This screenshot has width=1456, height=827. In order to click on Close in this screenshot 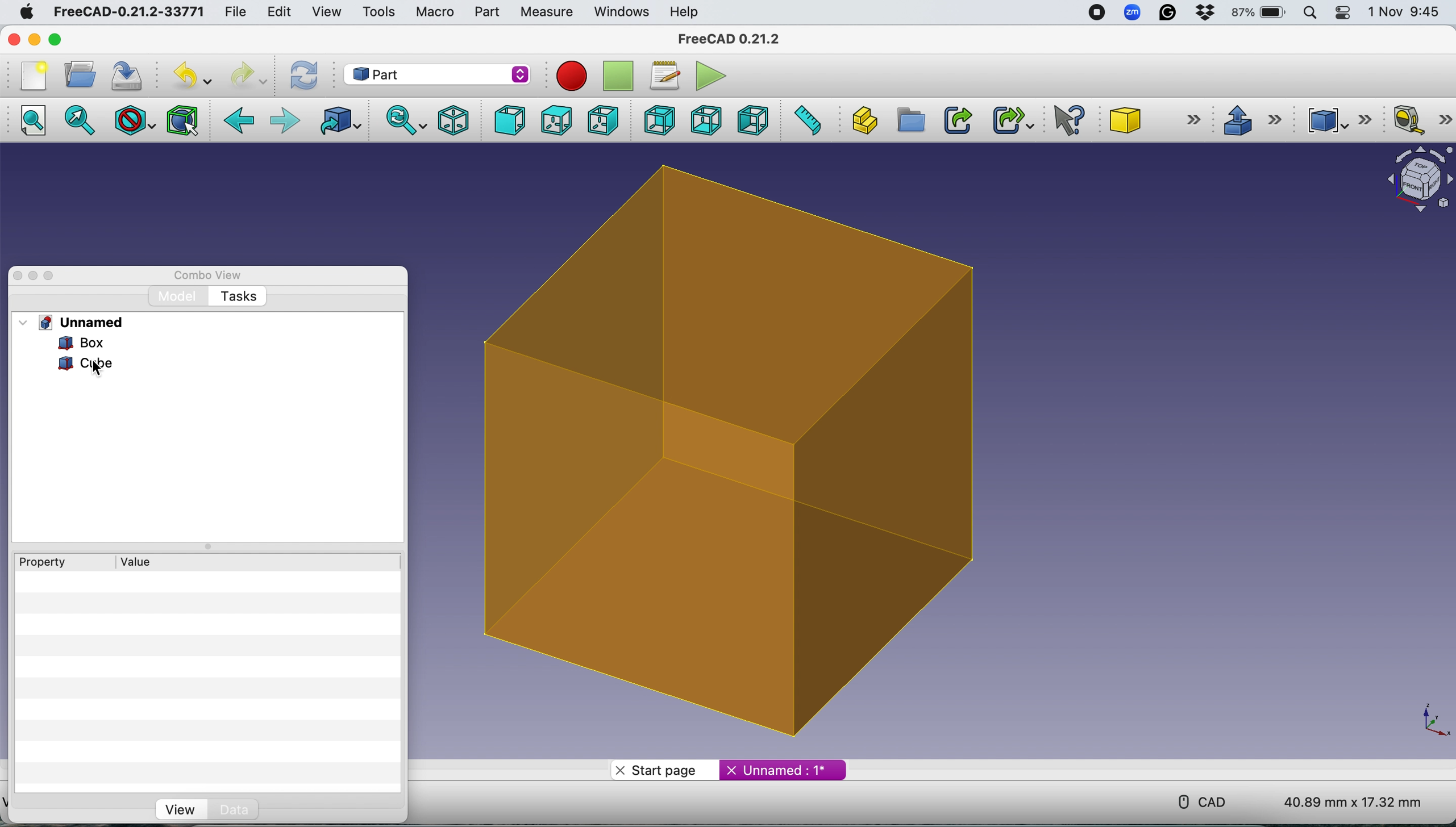, I will do `click(14, 39)`.